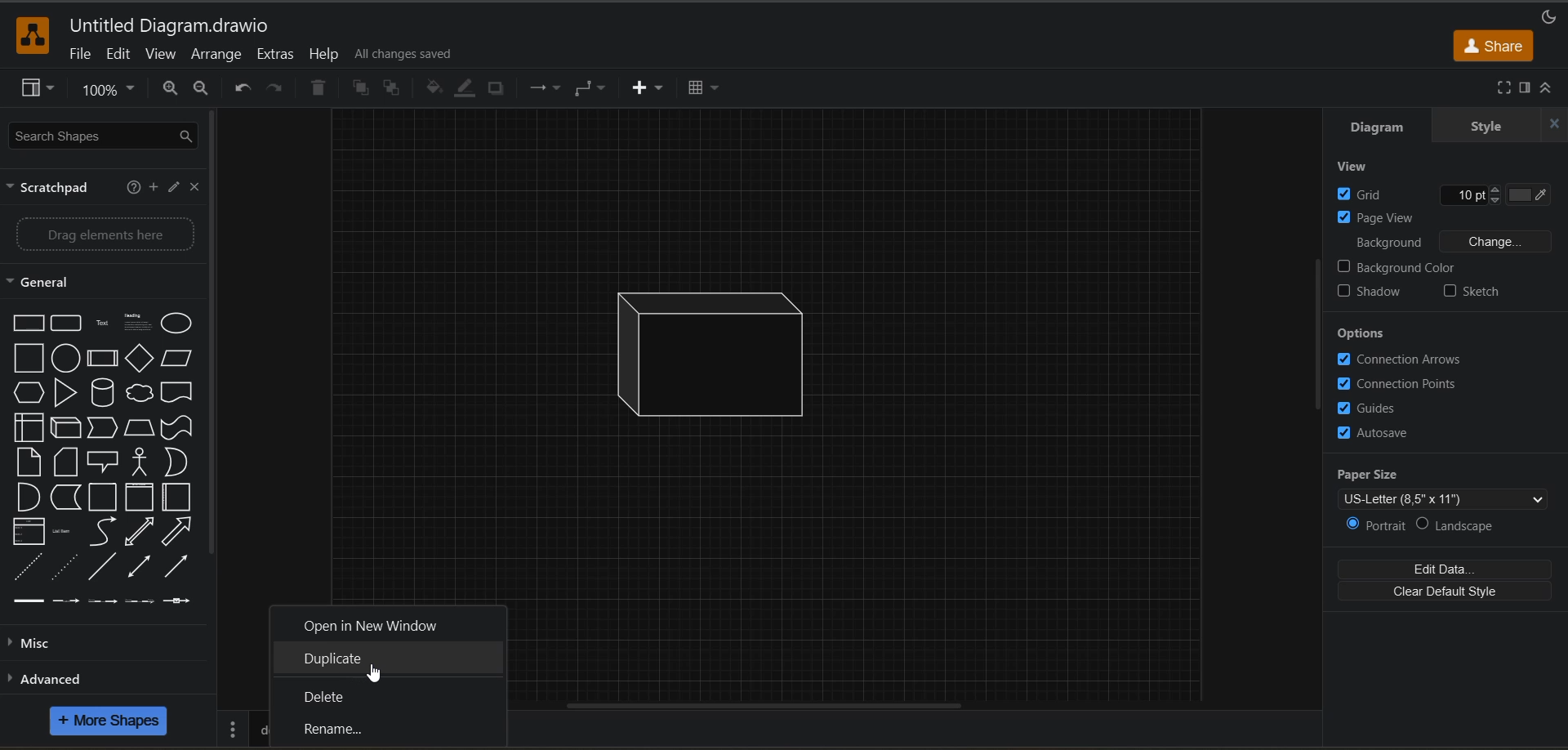  I want to click on paper size, so click(1450, 486).